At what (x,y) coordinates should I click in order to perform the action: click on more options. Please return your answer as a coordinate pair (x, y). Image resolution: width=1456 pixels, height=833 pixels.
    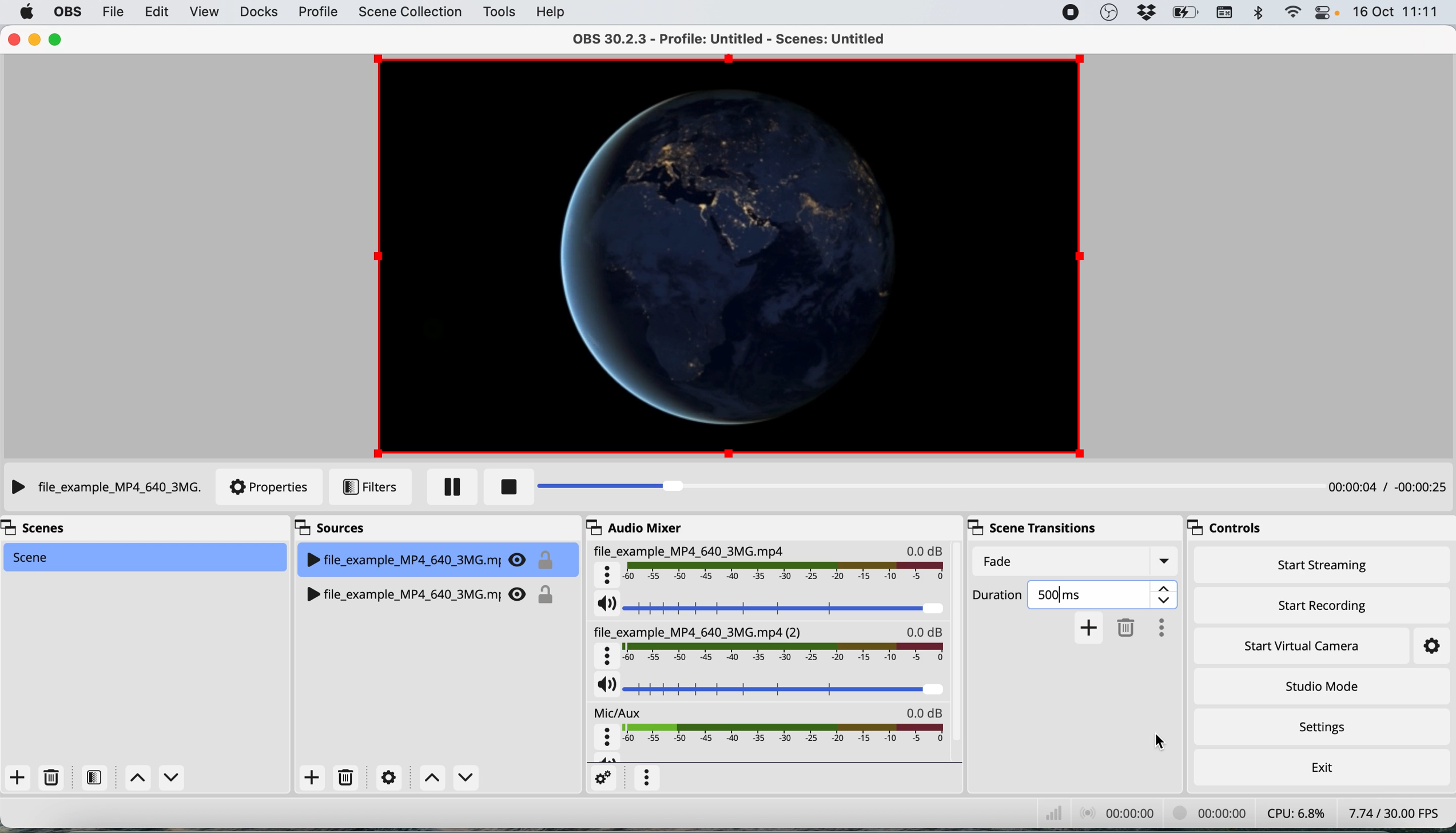
    Looking at the image, I should click on (1159, 627).